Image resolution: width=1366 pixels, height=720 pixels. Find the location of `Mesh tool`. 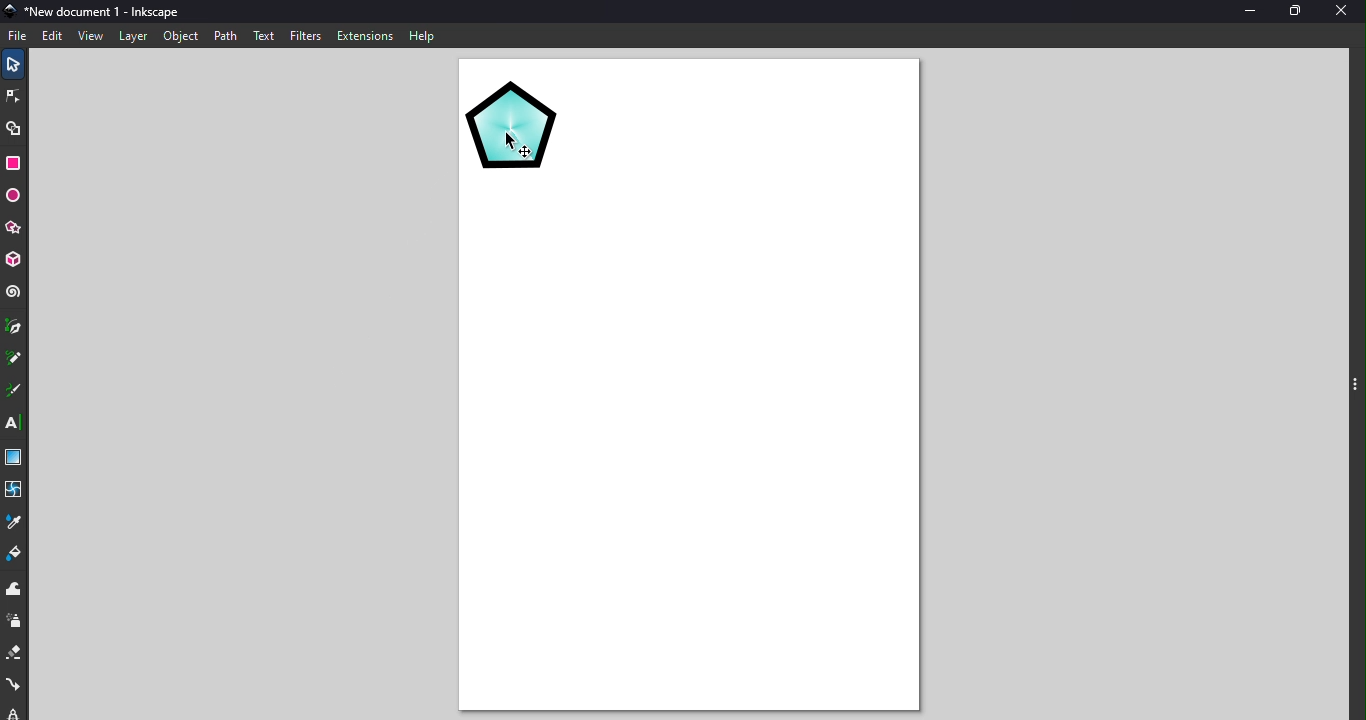

Mesh tool is located at coordinates (16, 486).